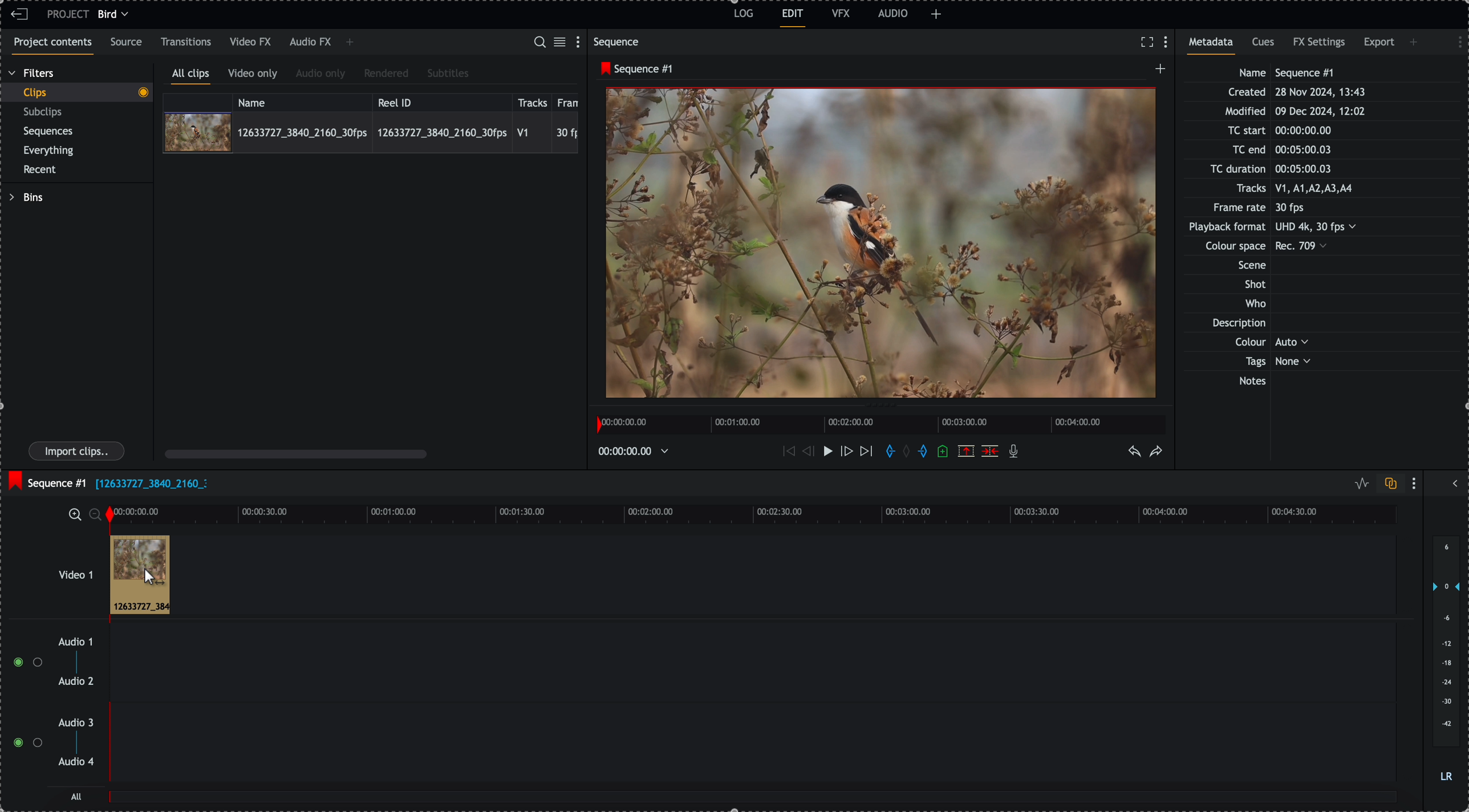 The width and height of the screenshot is (1469, 812). I want to click on show settings menu, so click(581, 41).